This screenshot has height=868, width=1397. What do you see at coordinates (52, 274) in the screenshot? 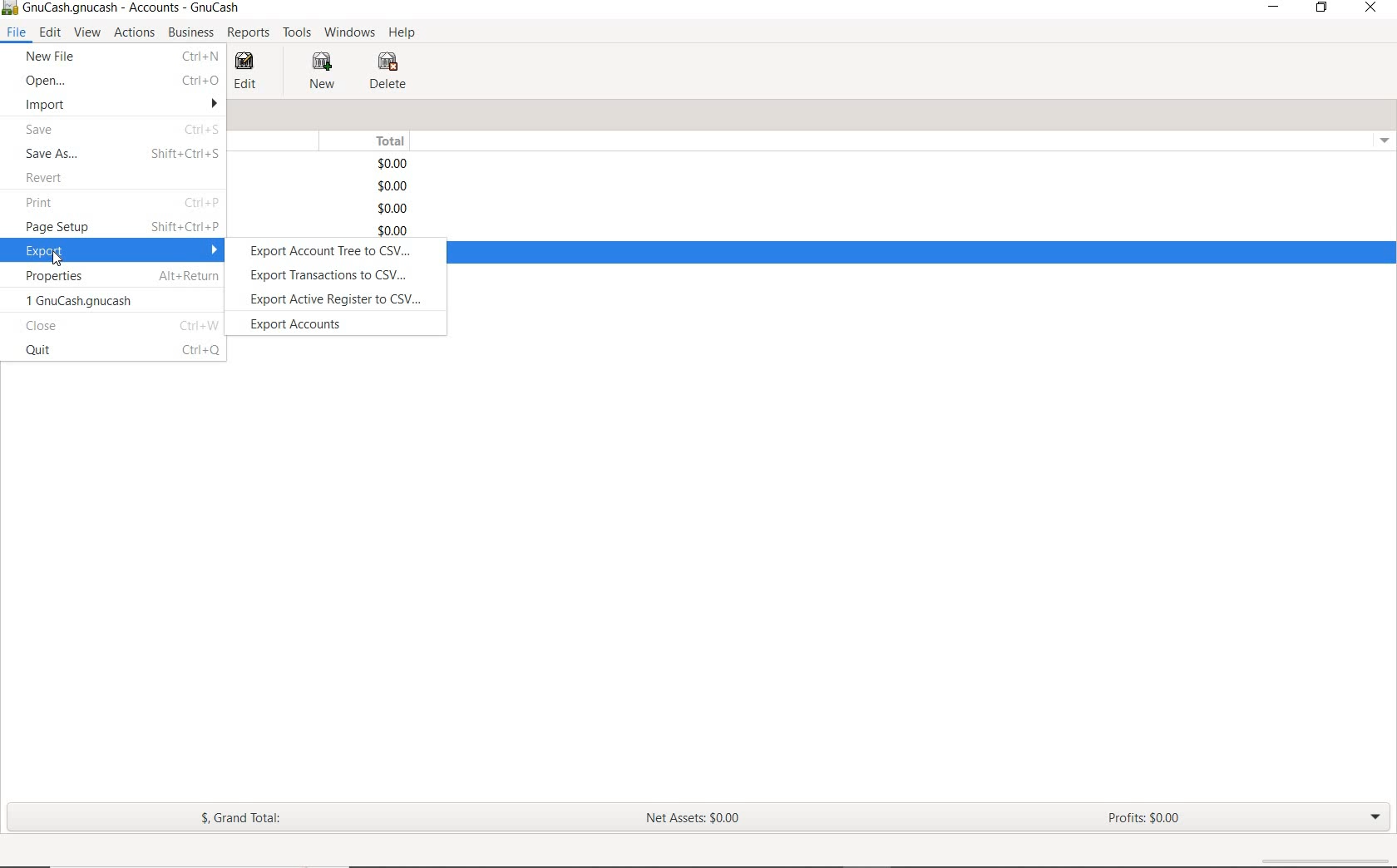
I see `PROPERTIES` at bounding box center [52, 274].